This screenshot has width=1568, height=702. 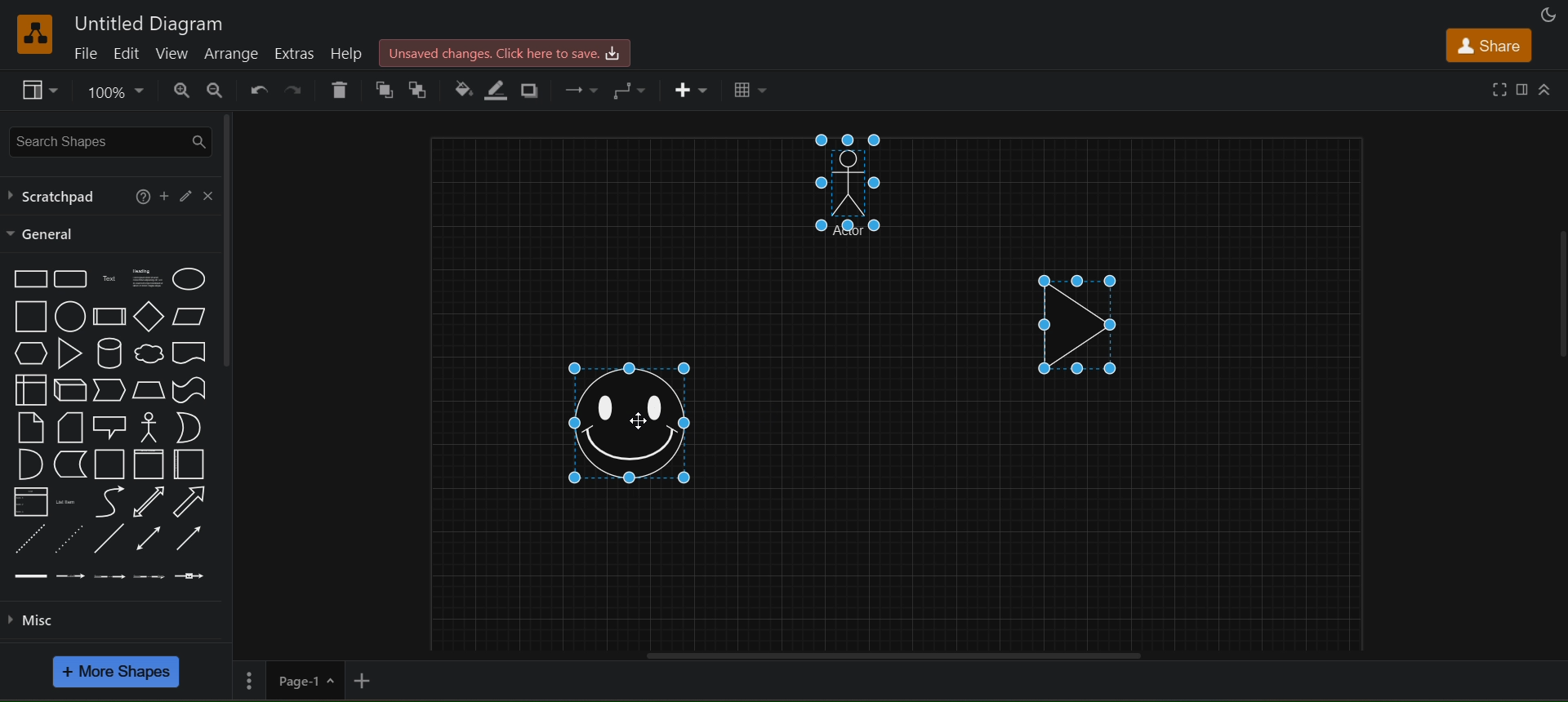 I want to click on trapezoid, so click(x=148, y=389).